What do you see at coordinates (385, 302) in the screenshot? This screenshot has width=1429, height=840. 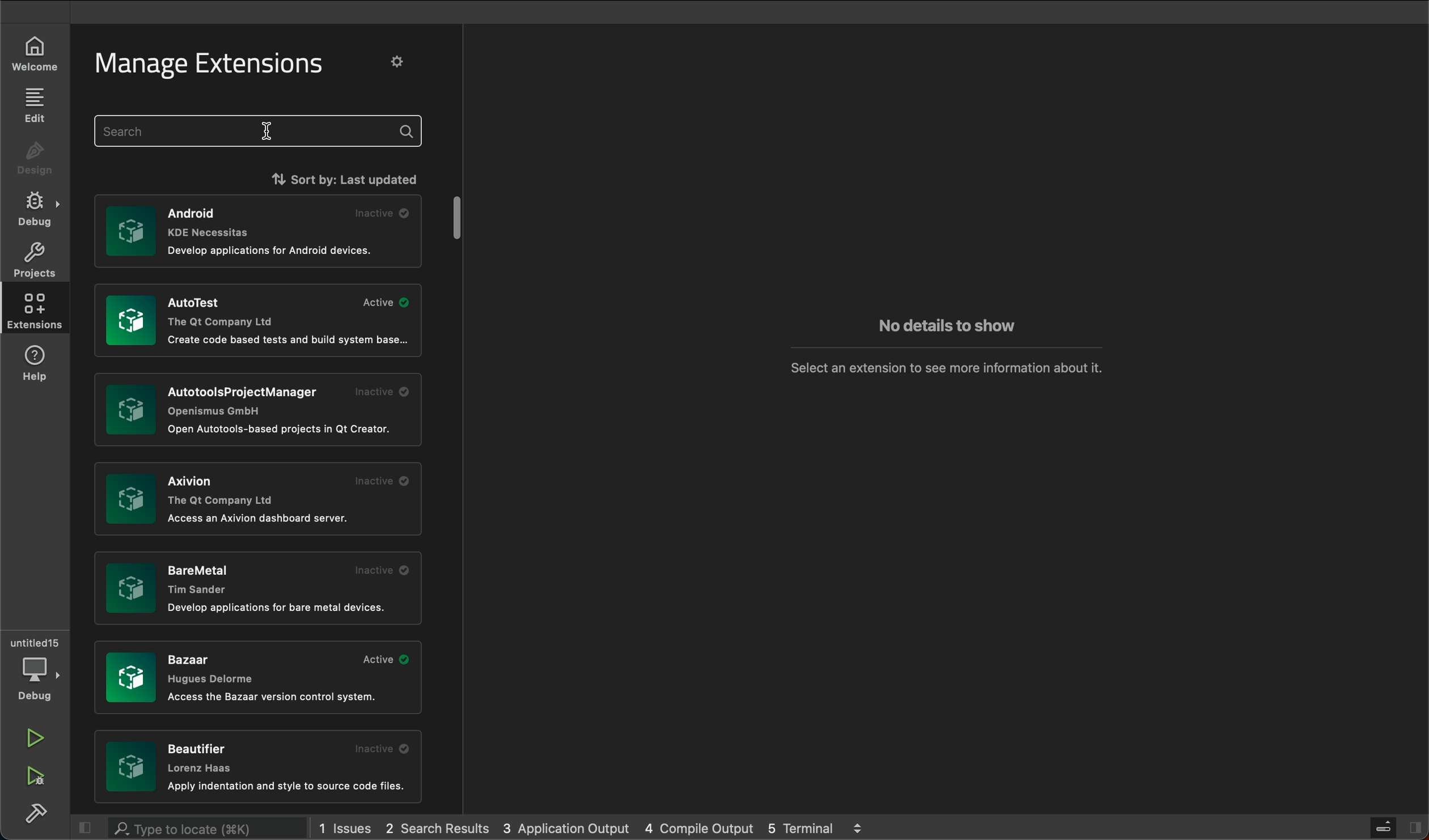 I see `active` at bounding box center [385, 302].